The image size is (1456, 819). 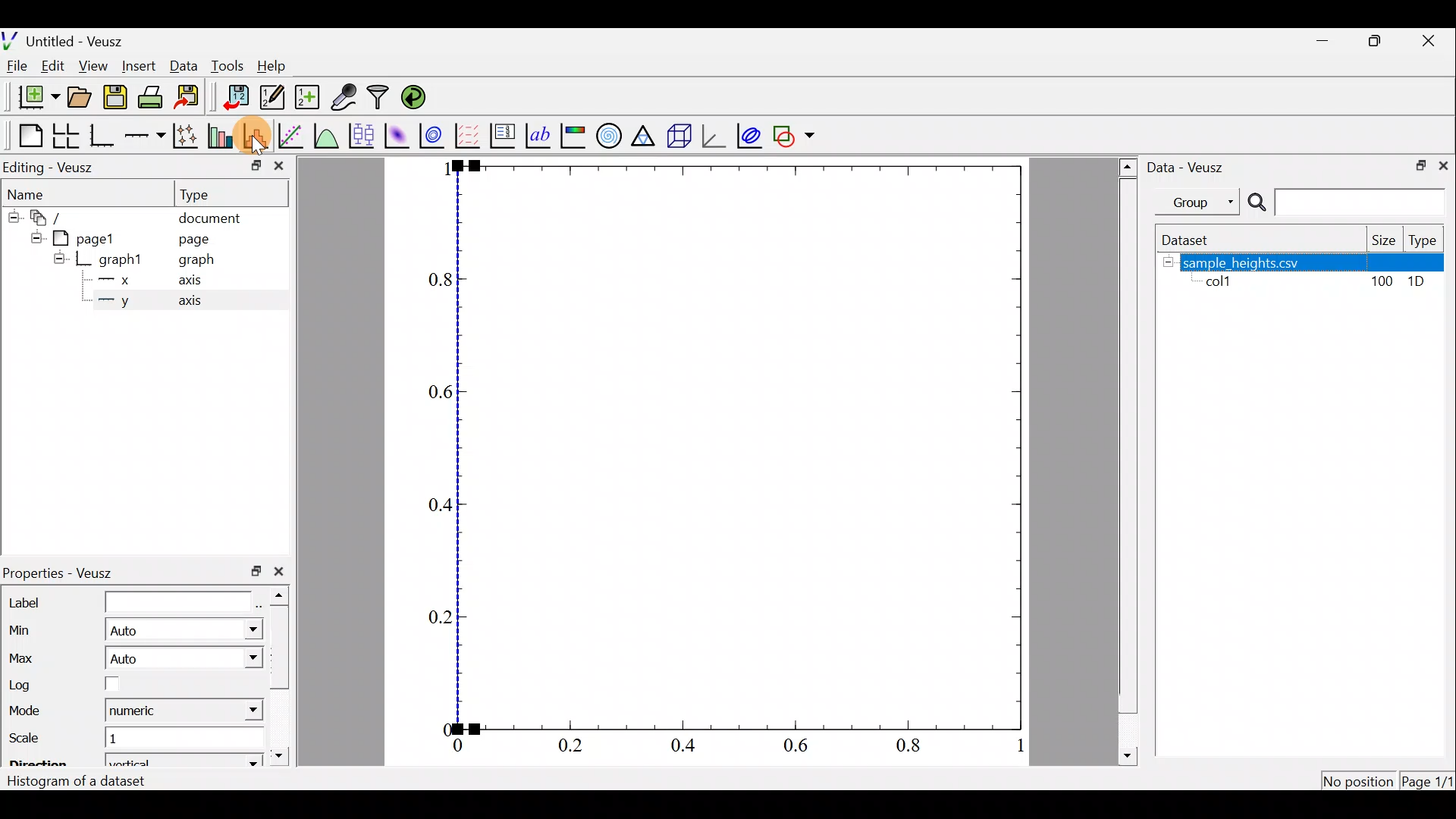 What do you see at coordinates (293, 136) in the screenshot?
I see `fit a function to data` at bounding box center [293, 136].